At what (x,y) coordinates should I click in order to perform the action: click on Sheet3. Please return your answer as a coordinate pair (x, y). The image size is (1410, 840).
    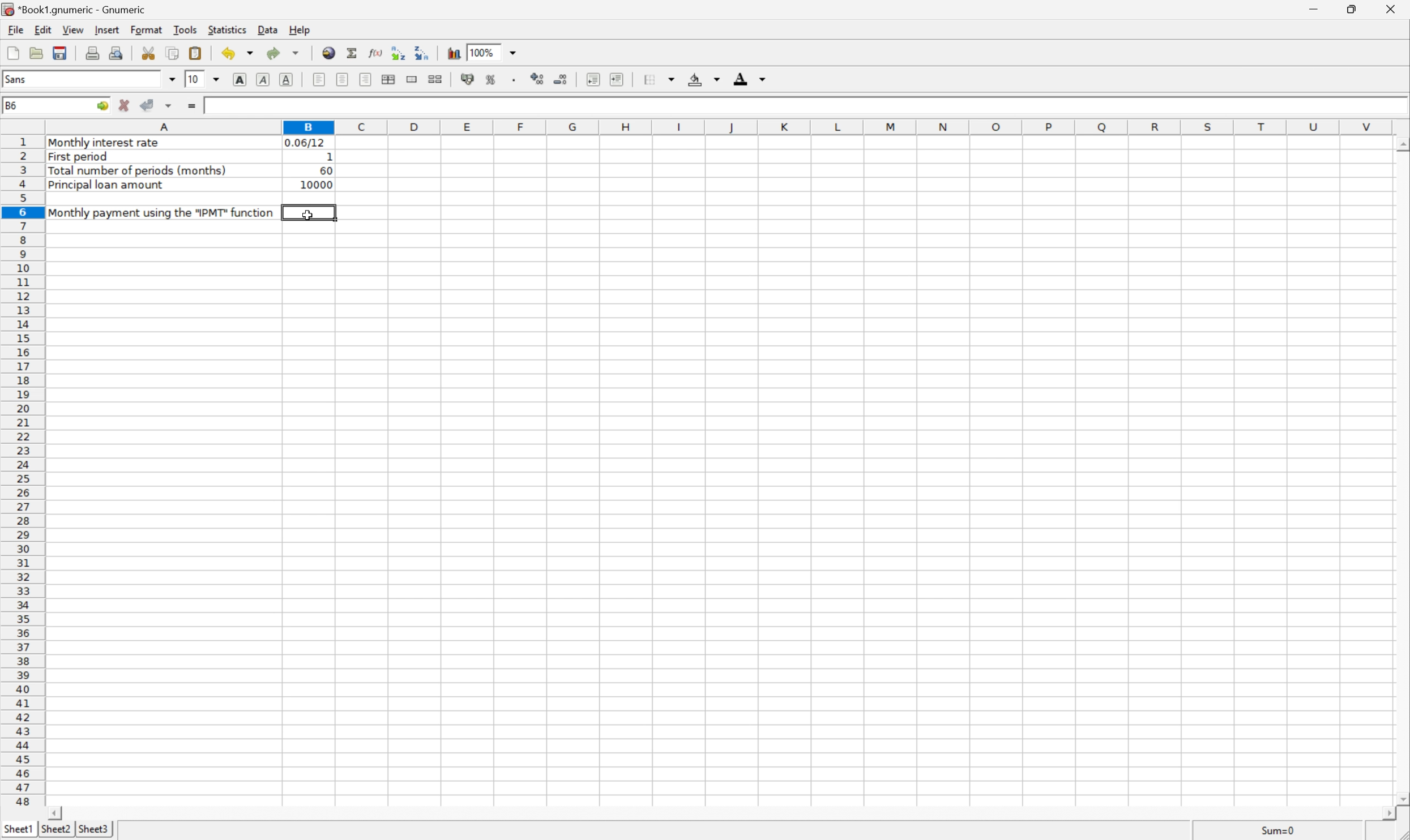
    Looking at the image, I should click on (95, 829).